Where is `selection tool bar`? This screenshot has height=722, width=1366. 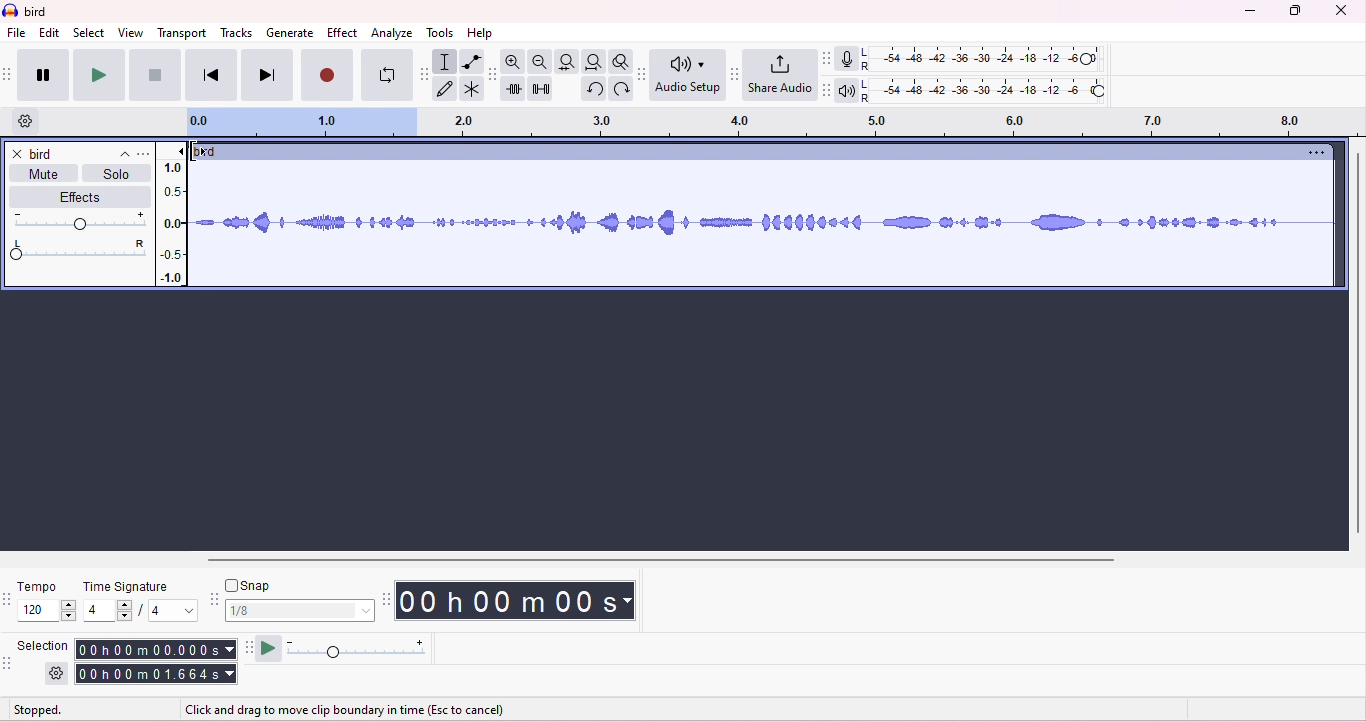
selection tool bar is located at coordinates (10, 665).